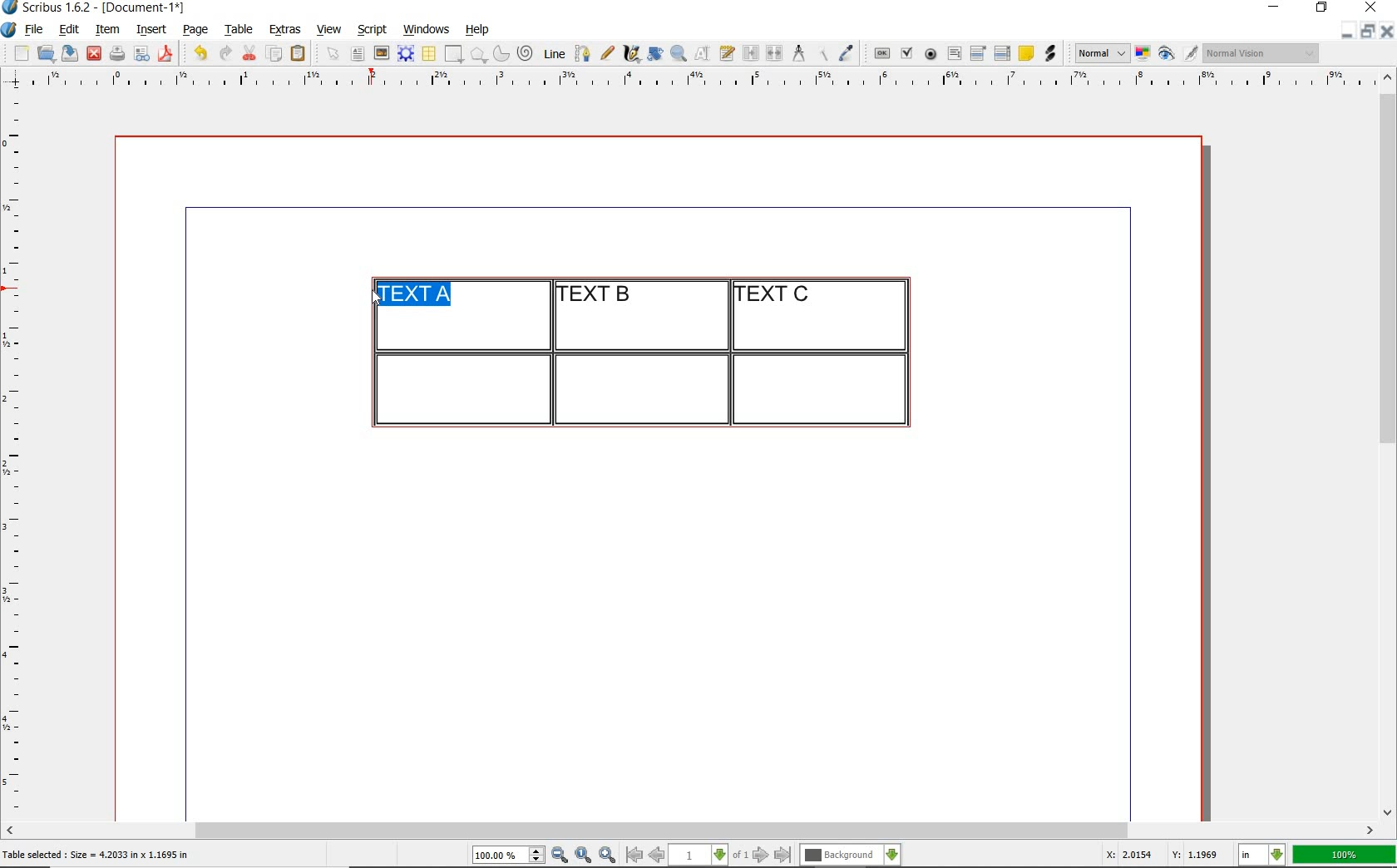  What do you see at coordinates (116, 53) in the screenshot?
I see `print` at bounding box center [116, 53].